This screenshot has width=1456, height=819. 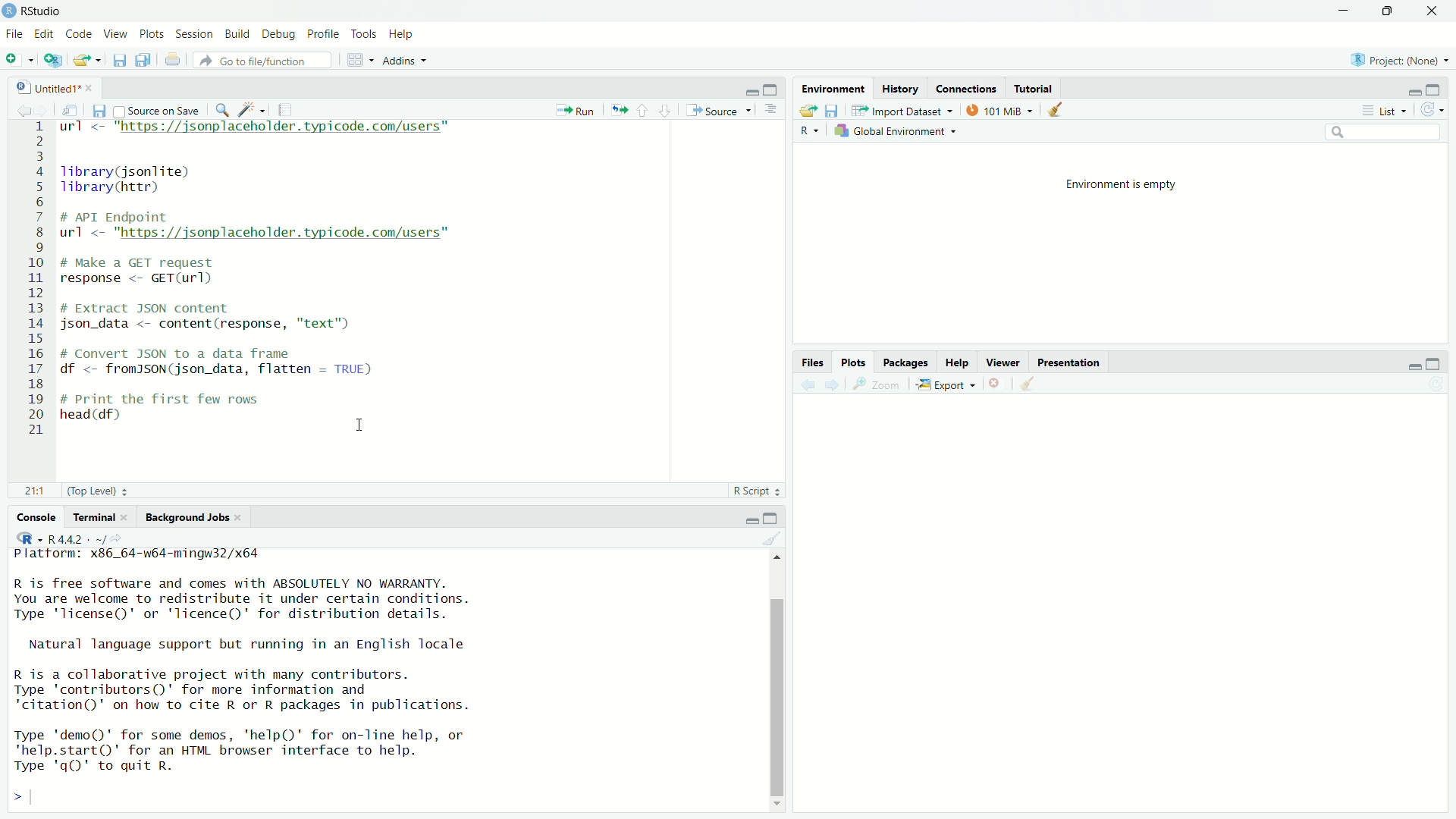 What do you see at coordinates (772, 519) in the screenshot?
I see `Maximize` at bounding box center [772, 519].